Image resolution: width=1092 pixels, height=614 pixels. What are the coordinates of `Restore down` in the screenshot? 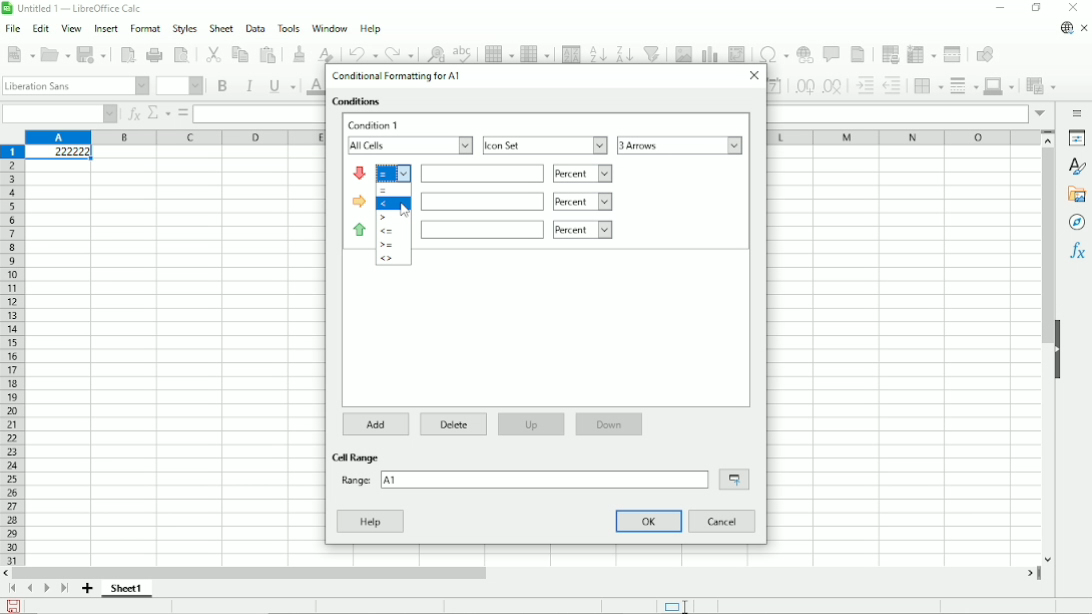 It's located at (1035, 8).